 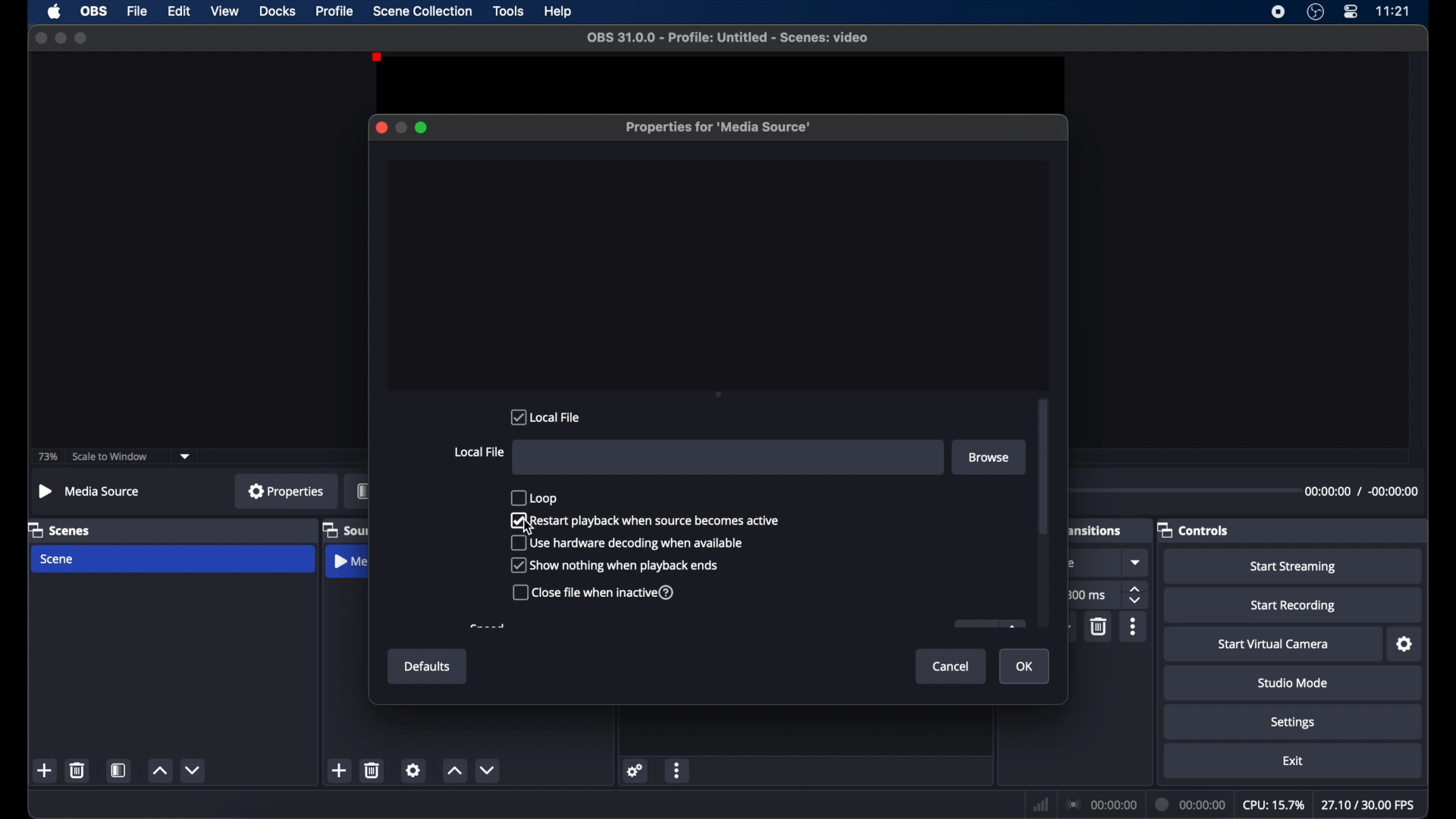 What do you see at coordinates (1191, 805) in the screenshot?
I see `duration` at bounding box center [1191, 805].